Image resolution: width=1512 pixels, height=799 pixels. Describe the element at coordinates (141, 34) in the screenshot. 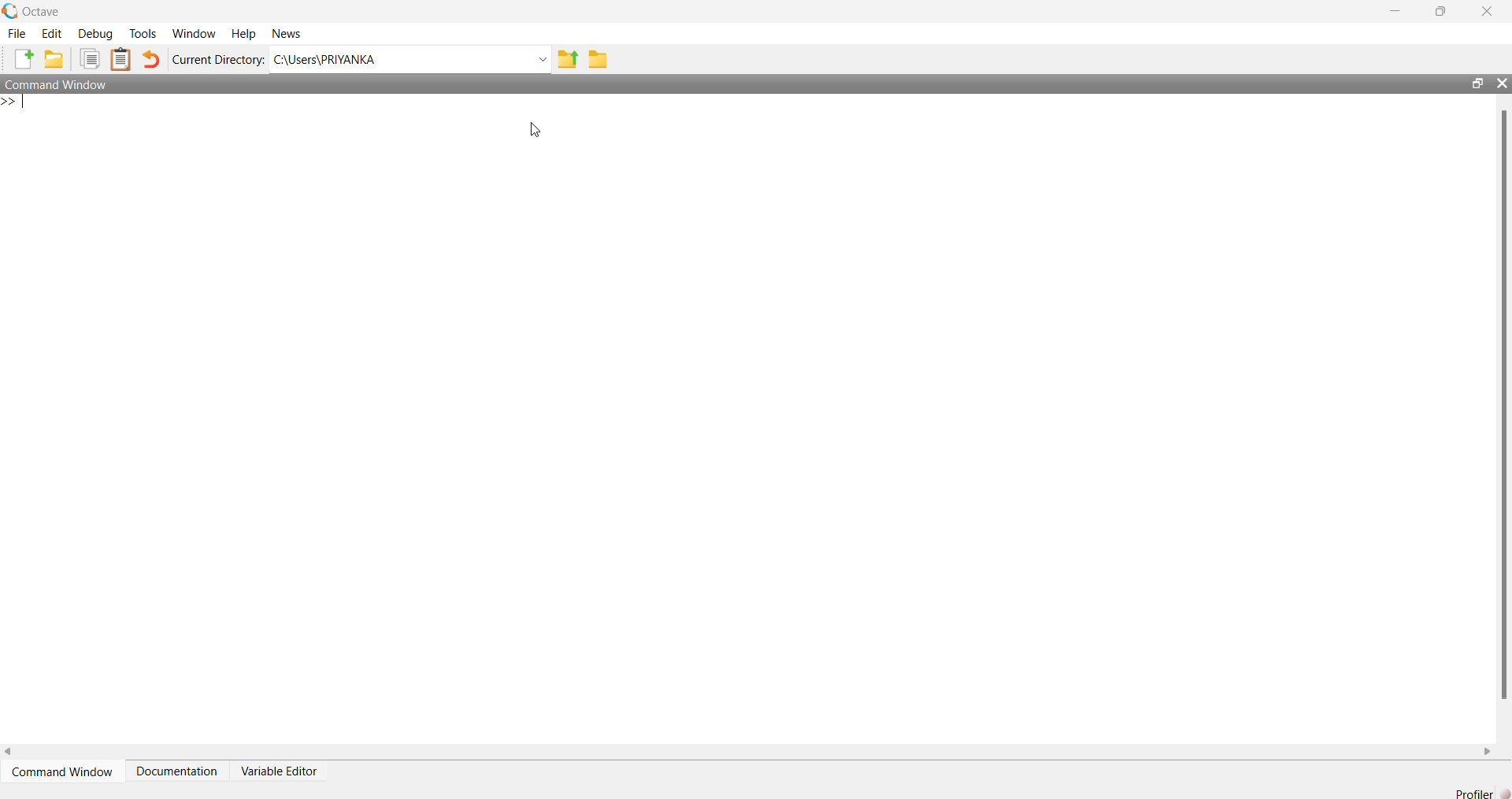

I see `Tools` at that location.